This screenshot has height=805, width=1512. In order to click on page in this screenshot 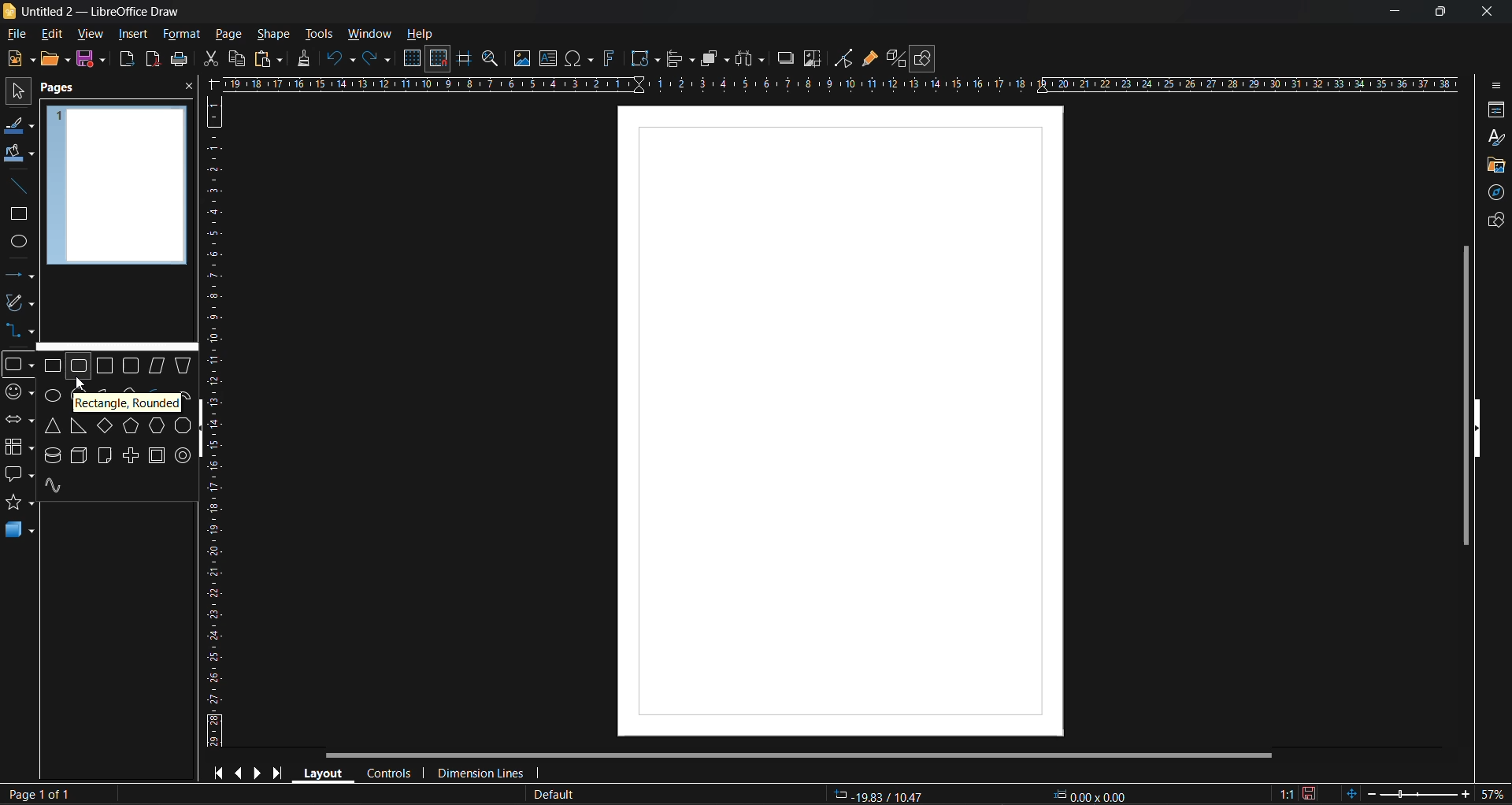, I will do `click(229, 33)`.